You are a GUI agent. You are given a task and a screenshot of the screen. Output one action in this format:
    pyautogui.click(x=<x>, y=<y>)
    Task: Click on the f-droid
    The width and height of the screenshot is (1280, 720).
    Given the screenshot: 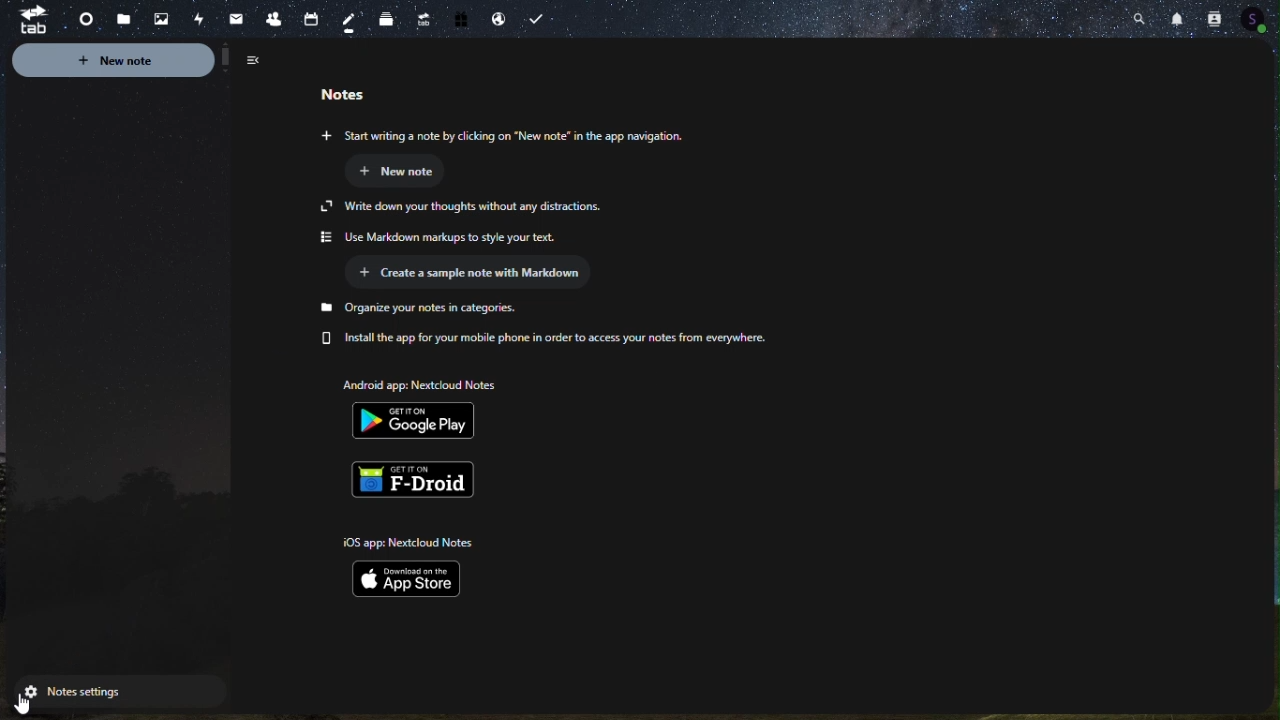 What is the action you would take?
    pyautogui.click(x=421, y=478)
    